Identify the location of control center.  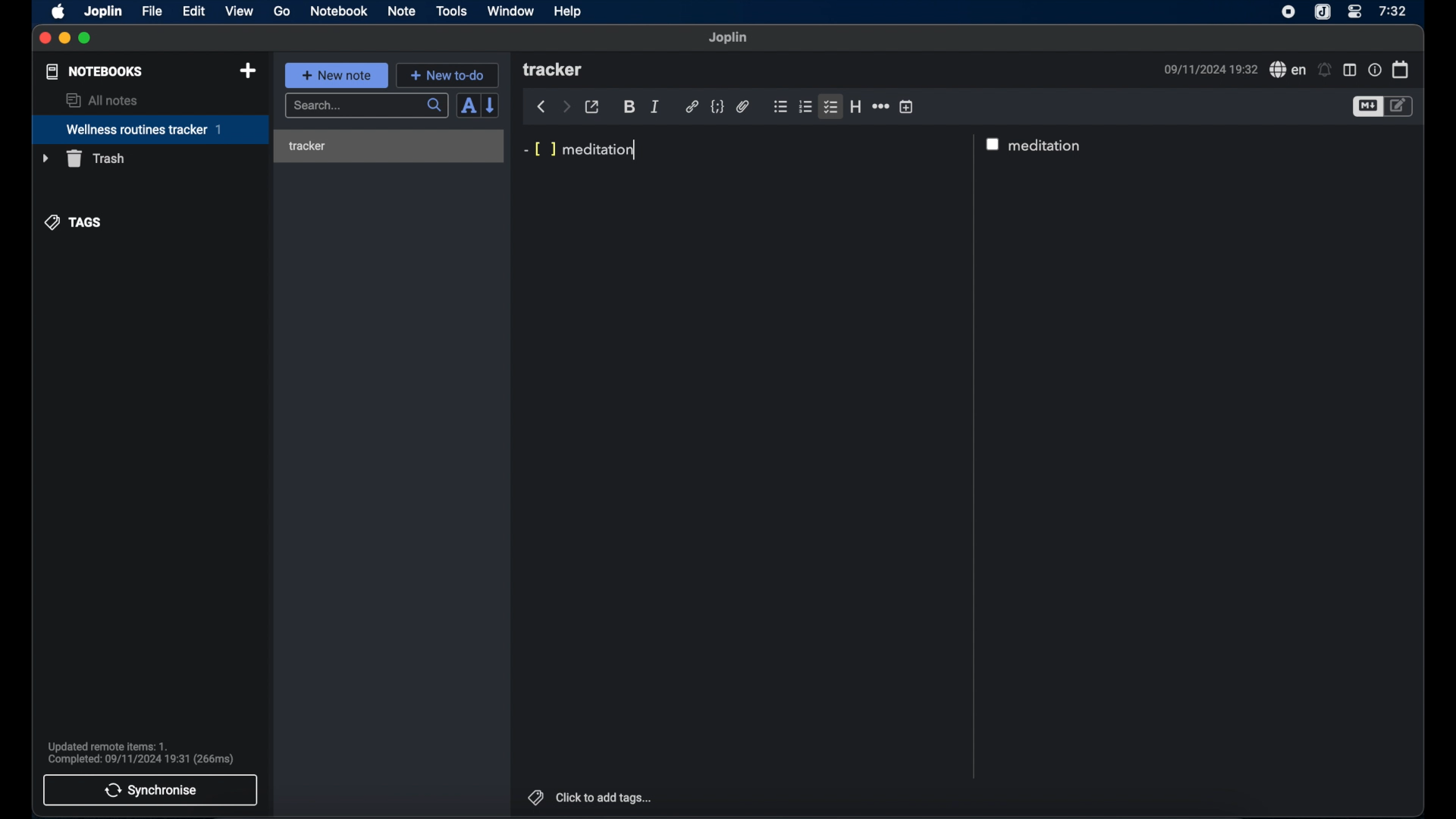
(1355, 12).